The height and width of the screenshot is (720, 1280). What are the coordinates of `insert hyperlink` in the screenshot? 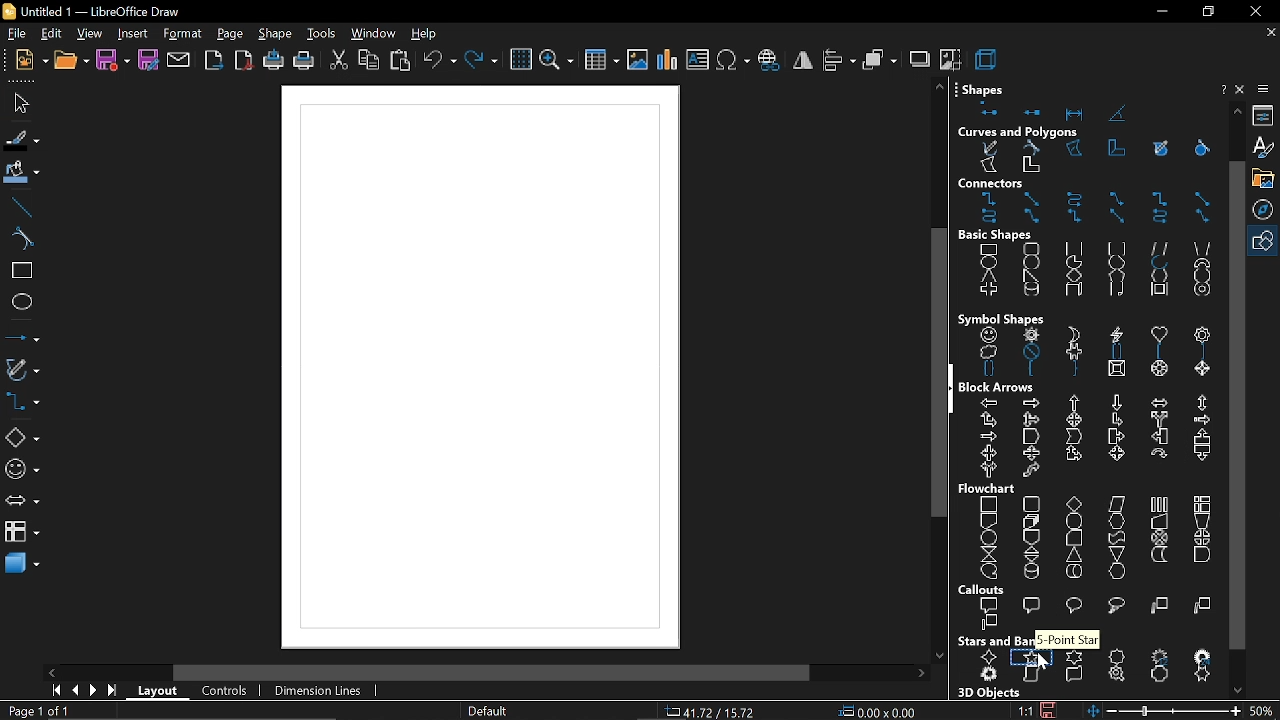 It's located at (770, 61).